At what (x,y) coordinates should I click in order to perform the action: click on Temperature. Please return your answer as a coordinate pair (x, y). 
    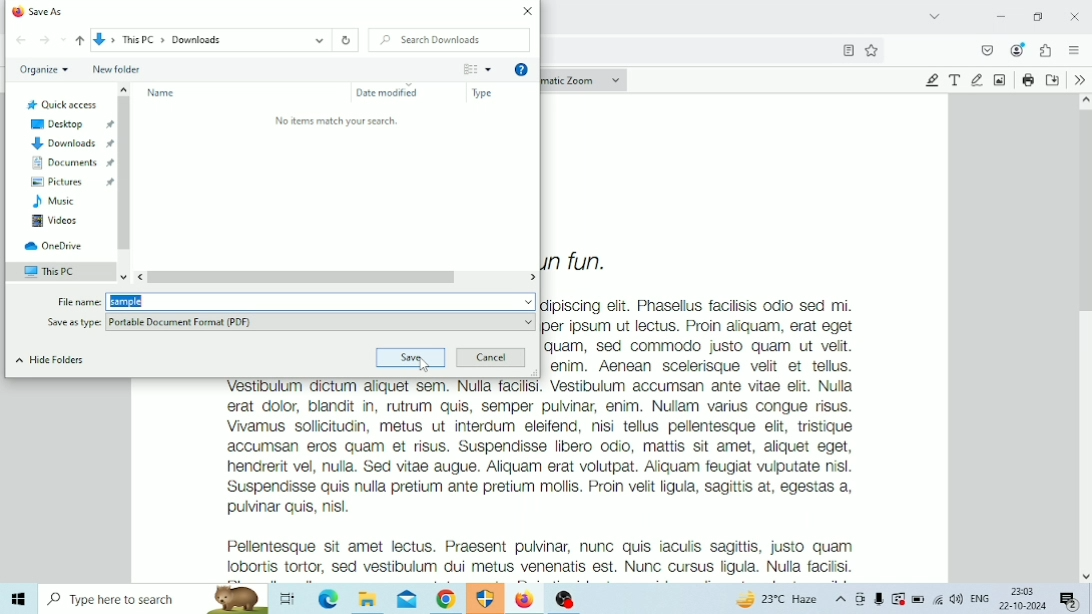
    Looking at the image, I should click on (776, 599).